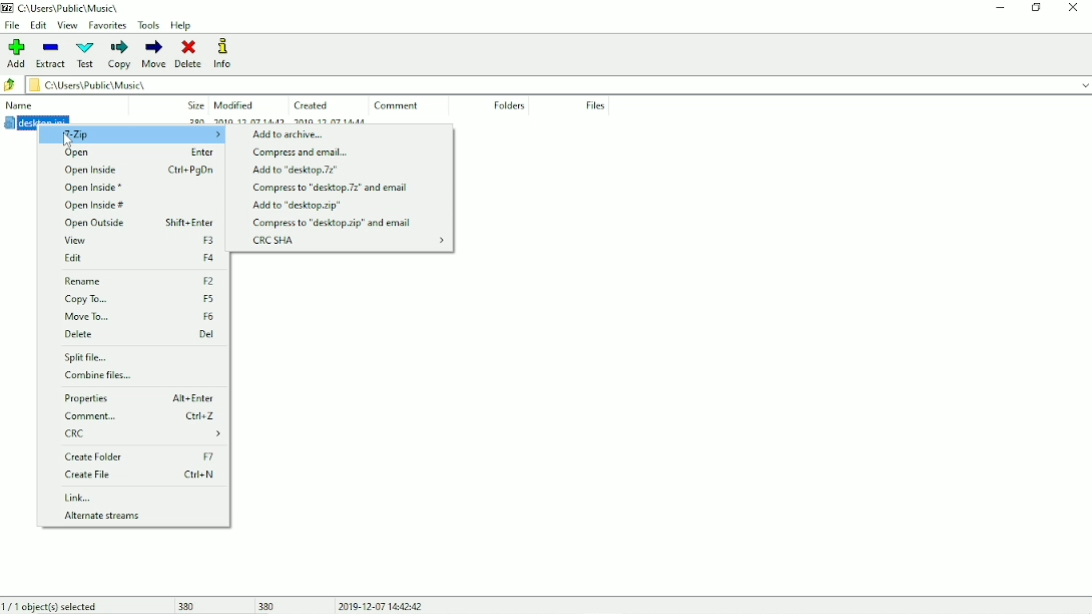  What do you see at coordinates (190, 606) in the screenshot?
I see `380` at bounding box center [190, 606].